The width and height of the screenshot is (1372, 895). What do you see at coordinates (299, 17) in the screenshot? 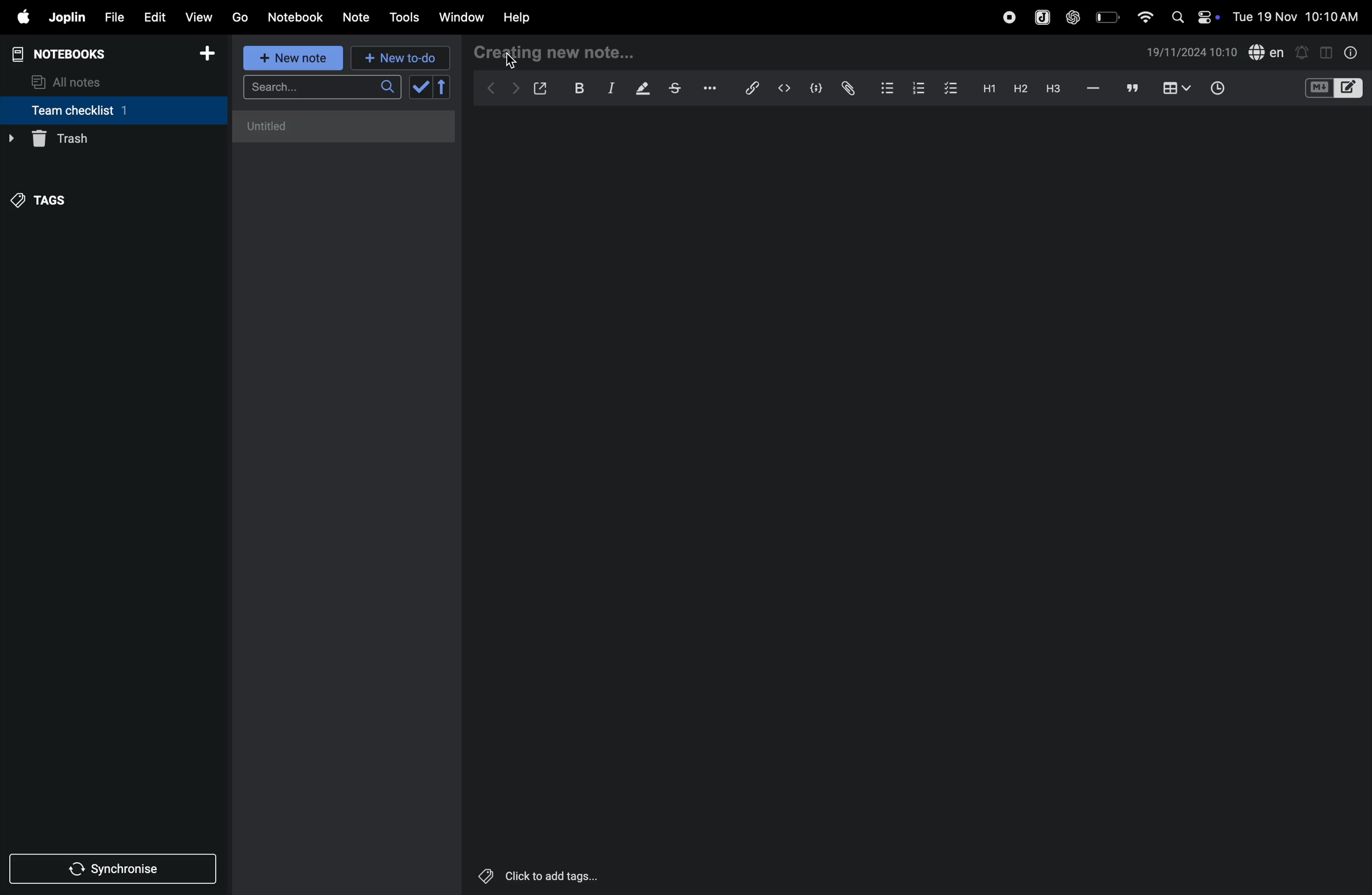
I see `Notebook` at bounding box center [299, 17].